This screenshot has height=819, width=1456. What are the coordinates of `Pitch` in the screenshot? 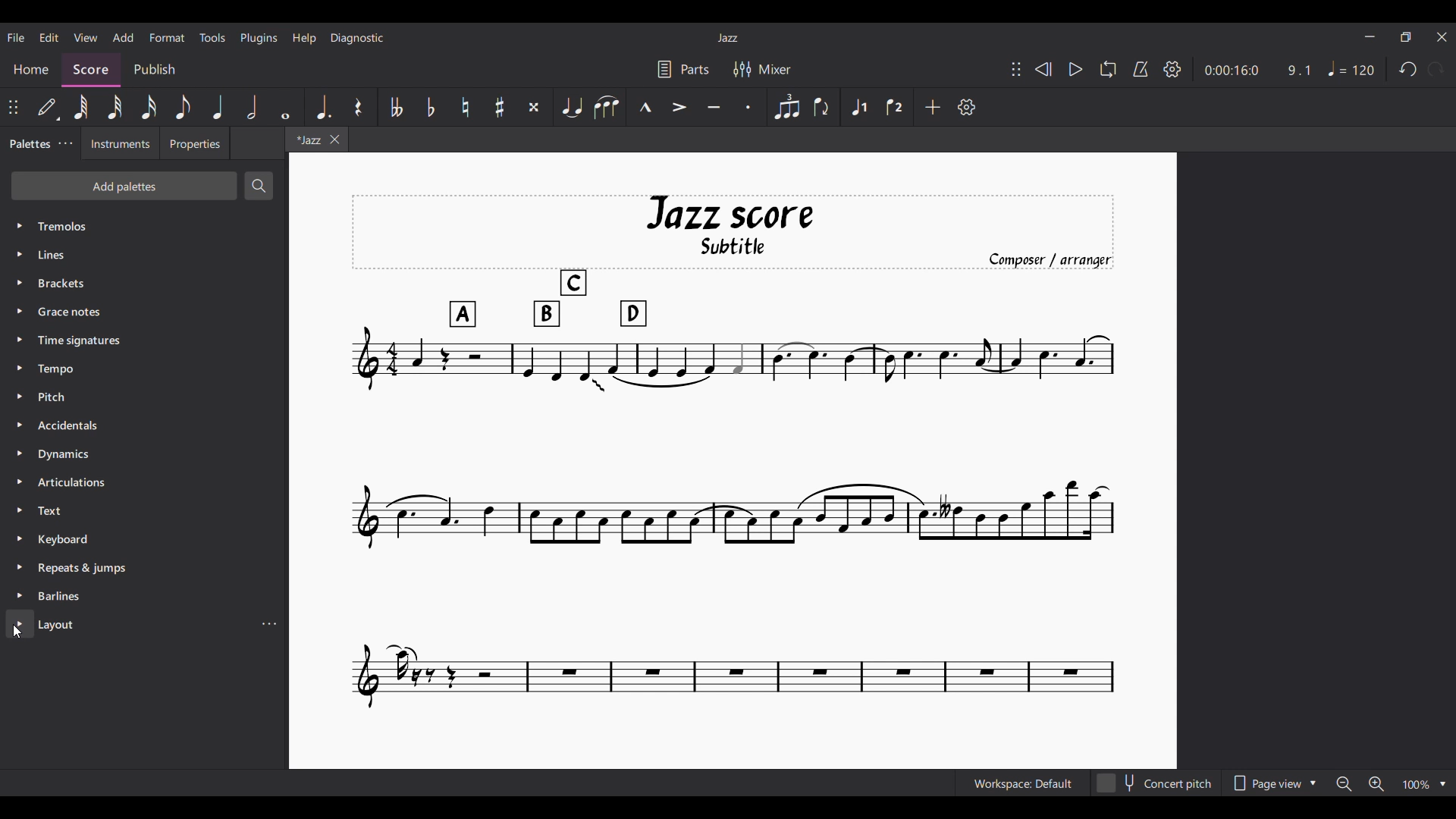 It's located at (143, 397).